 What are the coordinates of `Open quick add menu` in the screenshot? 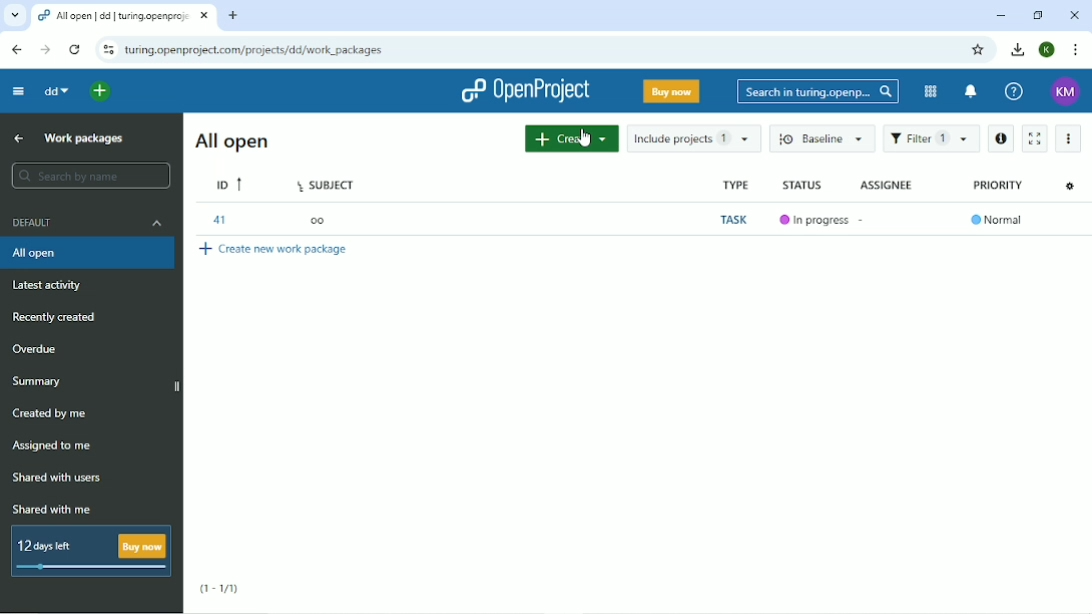 It's located at (102, 92).